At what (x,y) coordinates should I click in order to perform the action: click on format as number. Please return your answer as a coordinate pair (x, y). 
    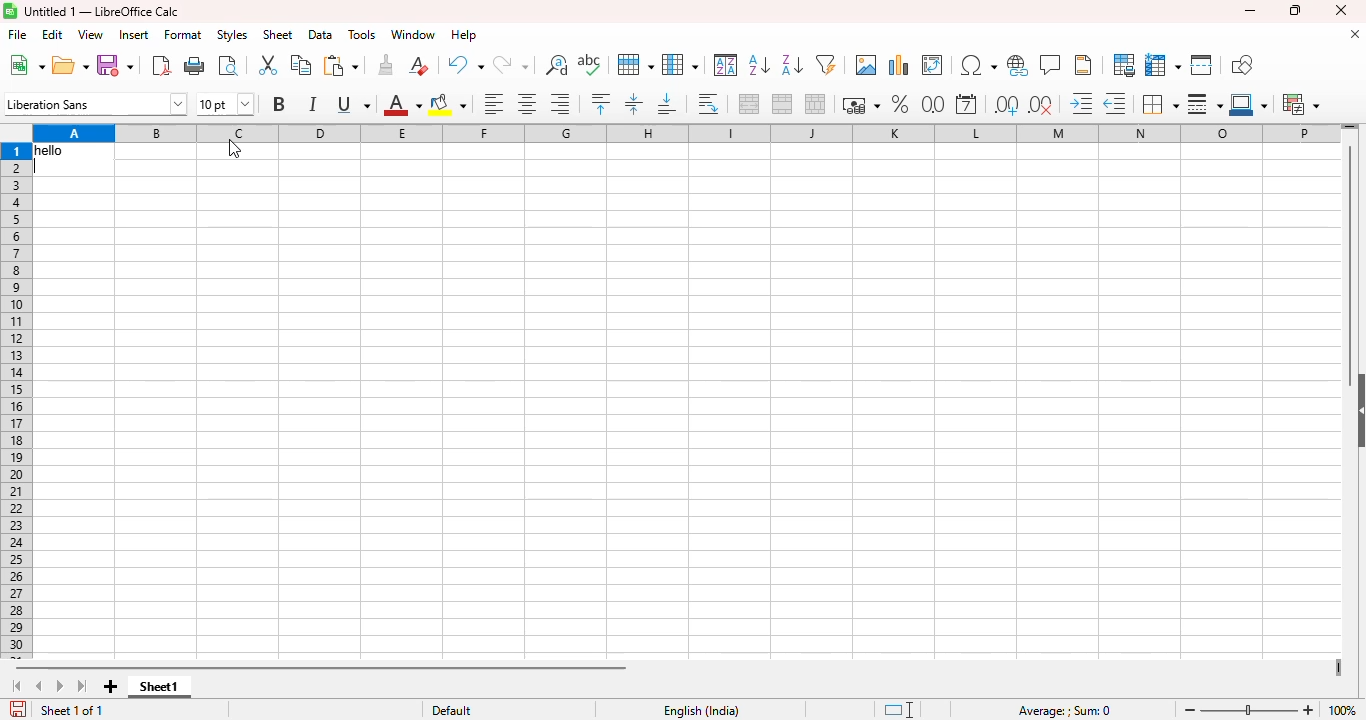
    Looking at the image, I should click on (934, 105).